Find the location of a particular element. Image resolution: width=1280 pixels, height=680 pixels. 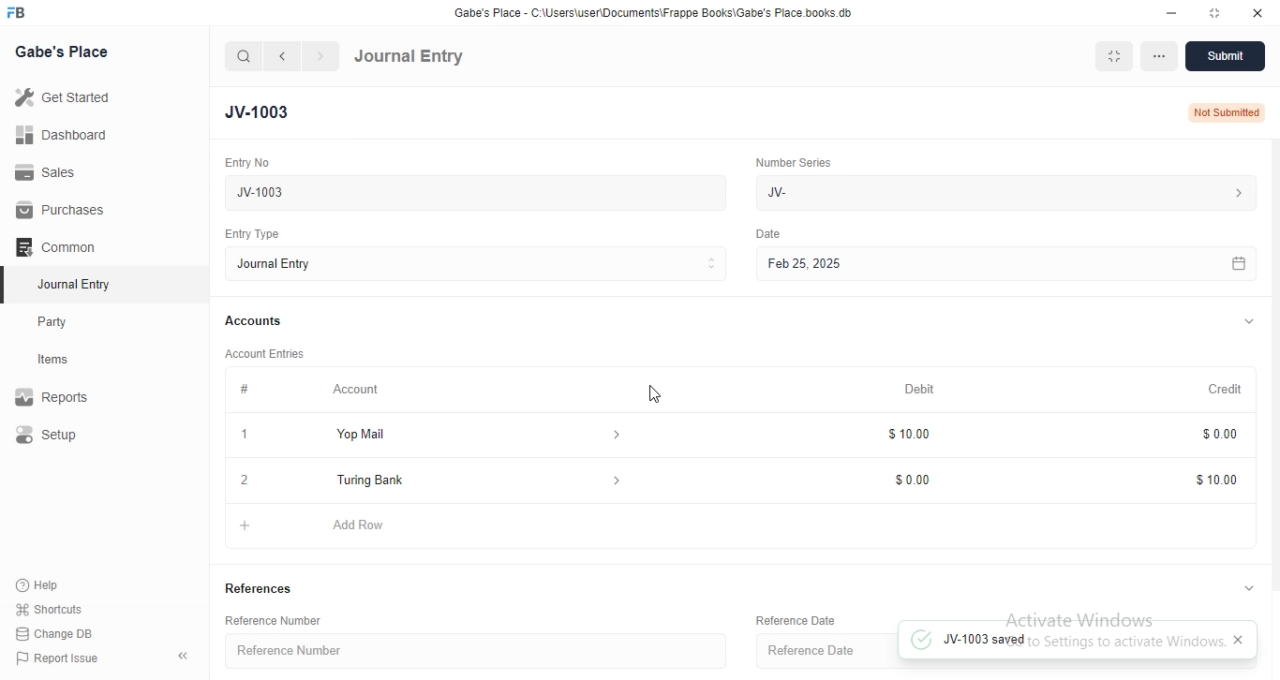

Yop Mail is located at coordinates (473, 435).